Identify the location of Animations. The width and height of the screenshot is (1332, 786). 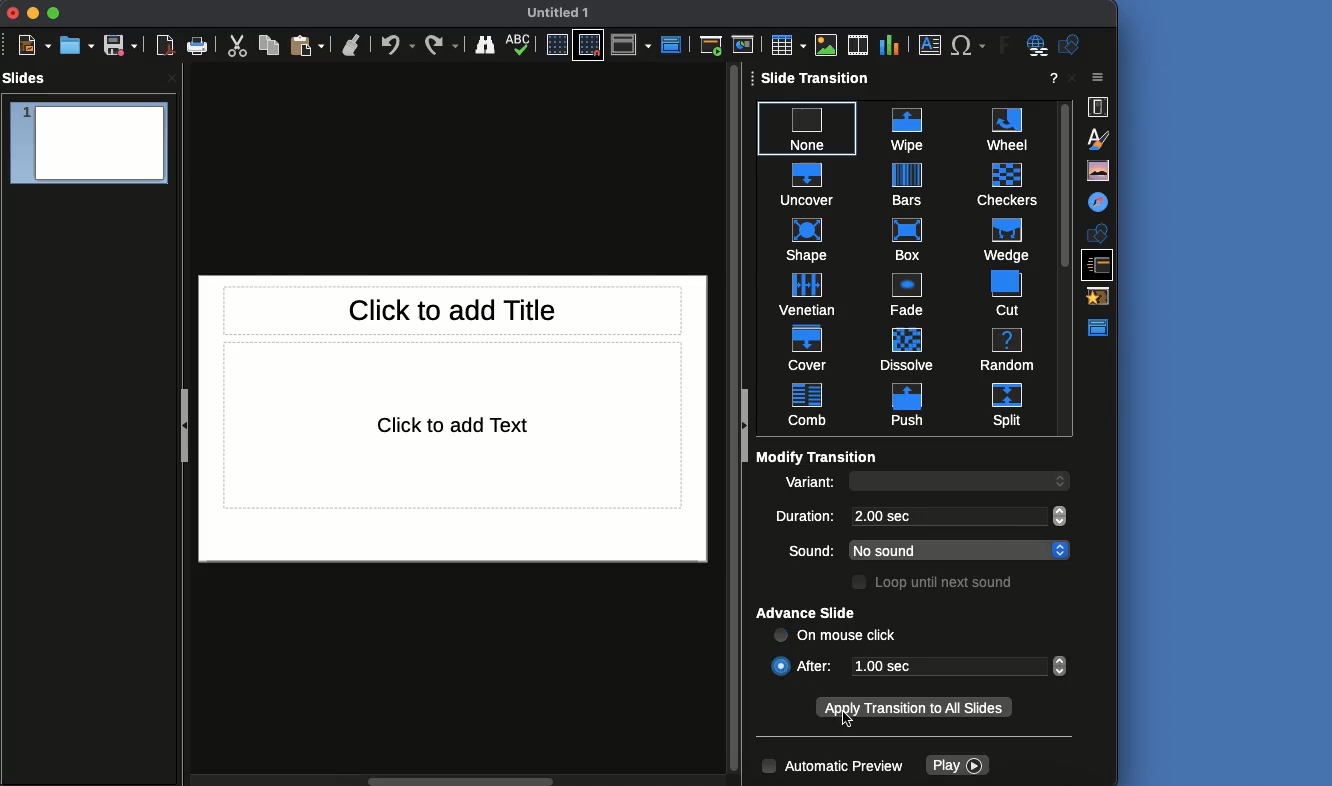
(1102, 295).